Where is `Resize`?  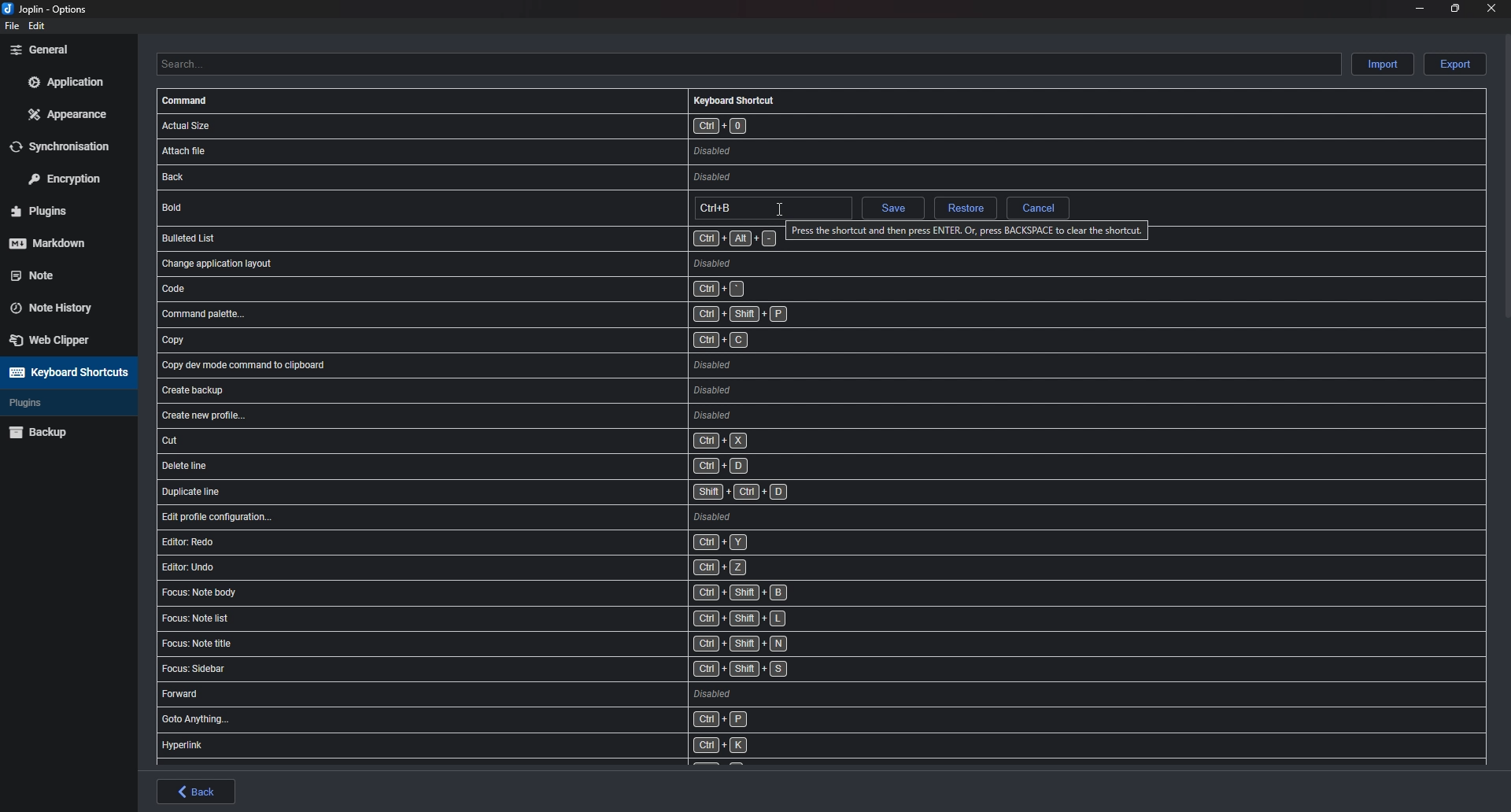 Resize is located at coordinates (1455, 8).